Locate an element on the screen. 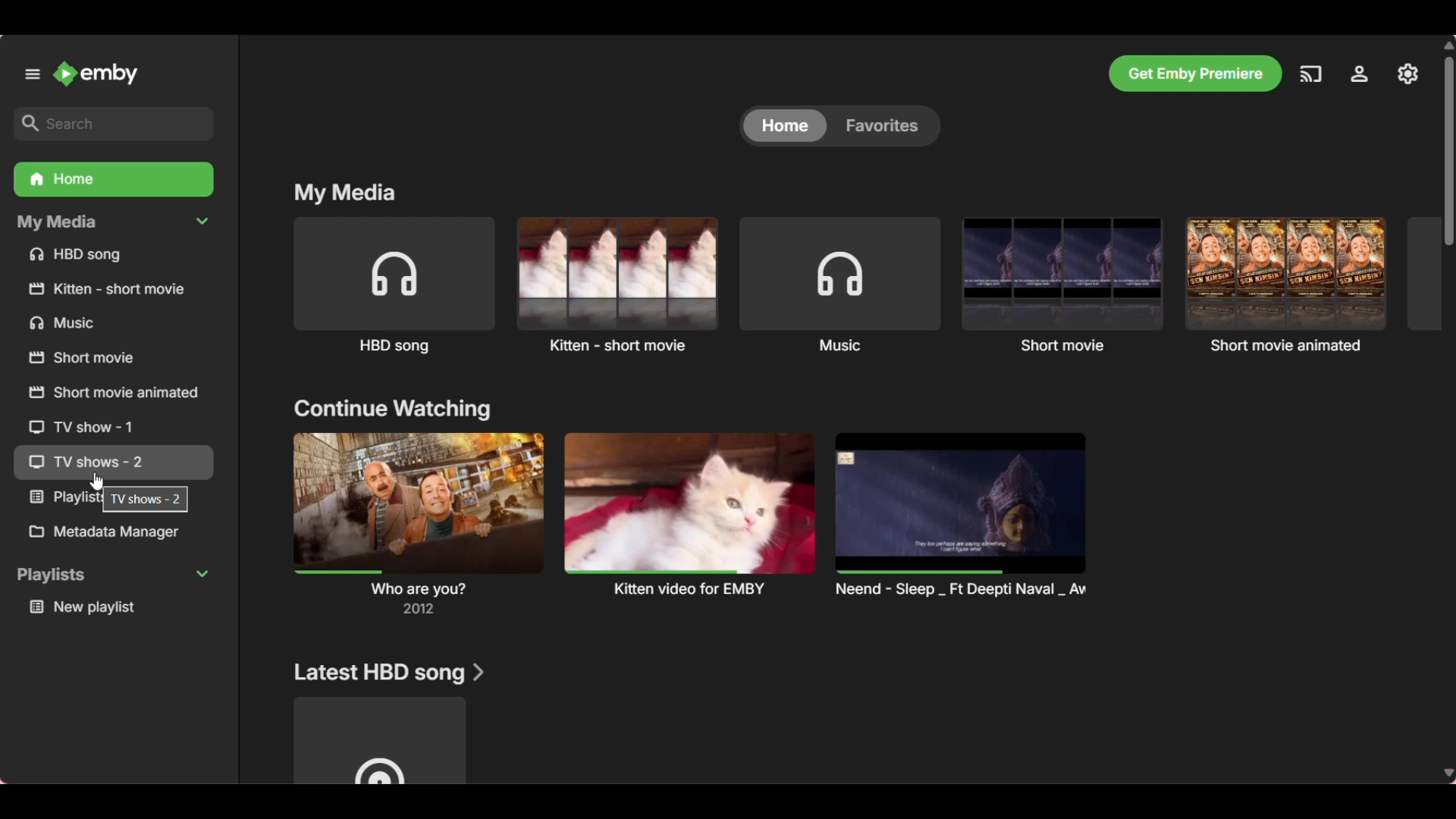 Image resolution: width=1456 pixels, height=819 pixels.  is located at coordinates (108, 500).